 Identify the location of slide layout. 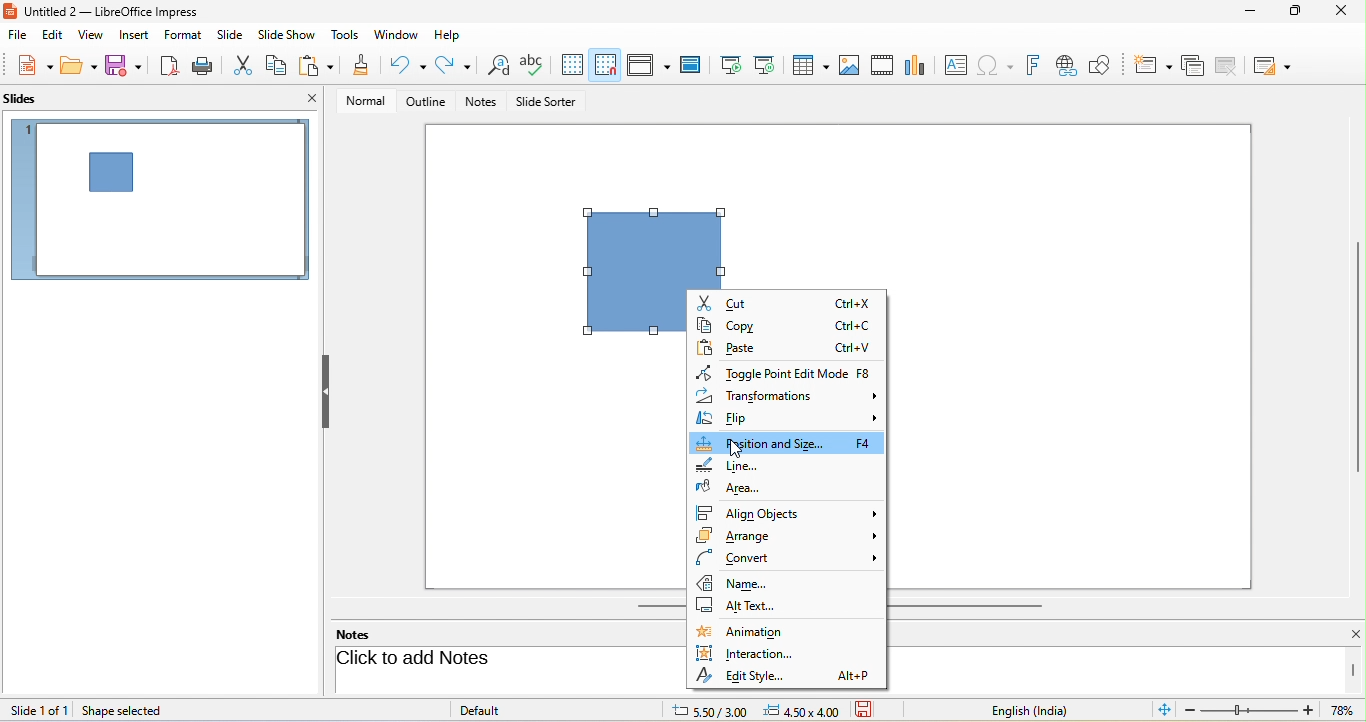
(1277, 64).